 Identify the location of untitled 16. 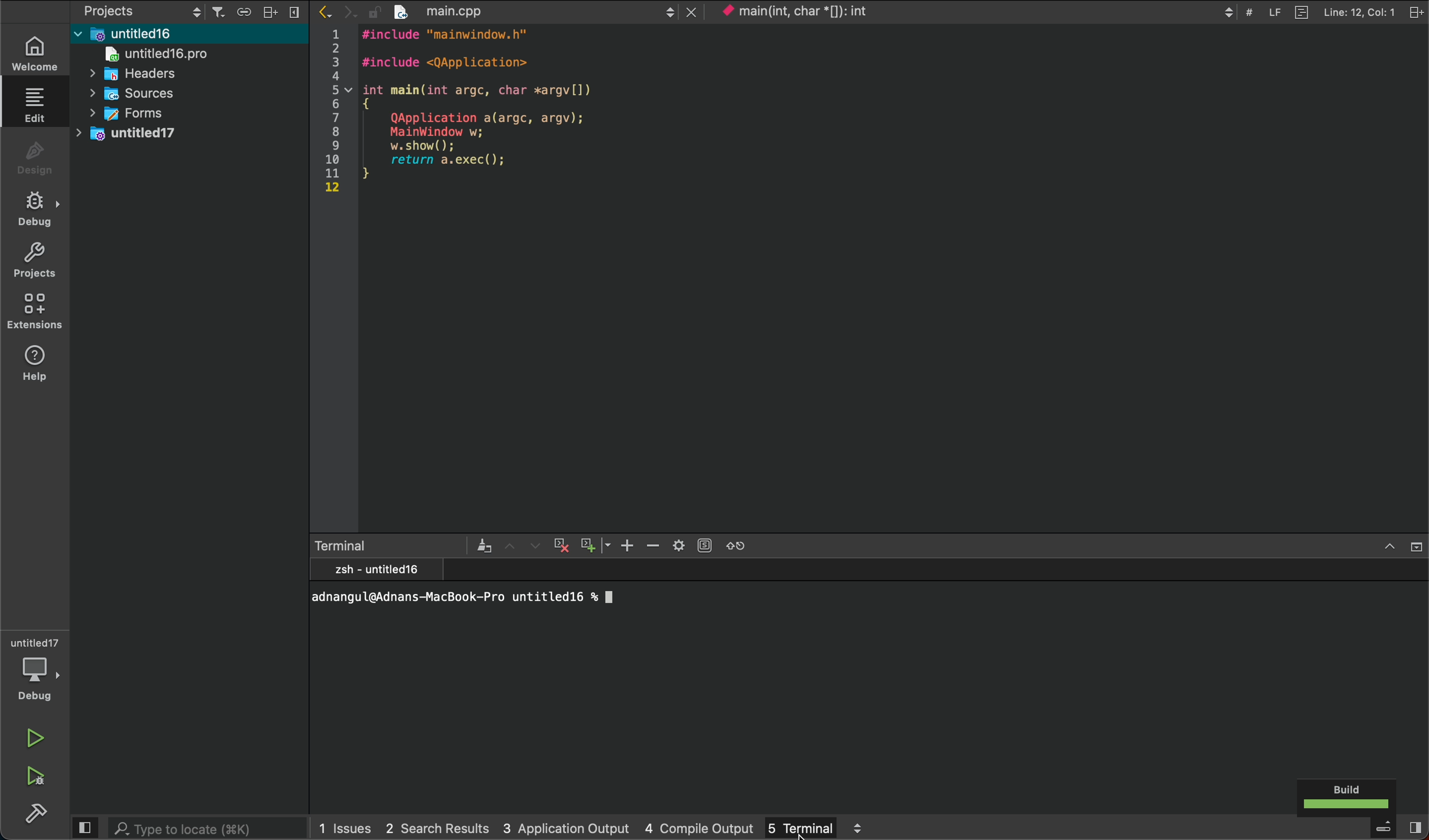
(161, 32).